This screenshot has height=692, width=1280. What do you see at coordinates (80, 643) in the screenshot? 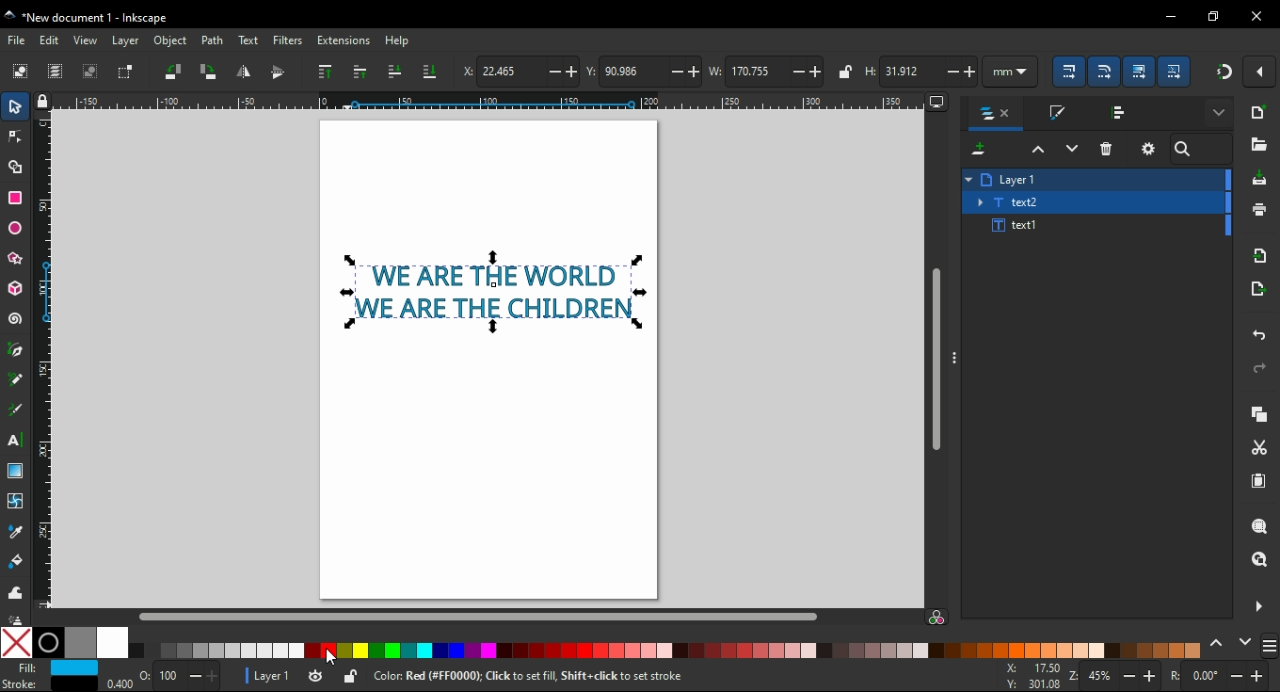
I see `50% grey` at bounding box center [80, 643].